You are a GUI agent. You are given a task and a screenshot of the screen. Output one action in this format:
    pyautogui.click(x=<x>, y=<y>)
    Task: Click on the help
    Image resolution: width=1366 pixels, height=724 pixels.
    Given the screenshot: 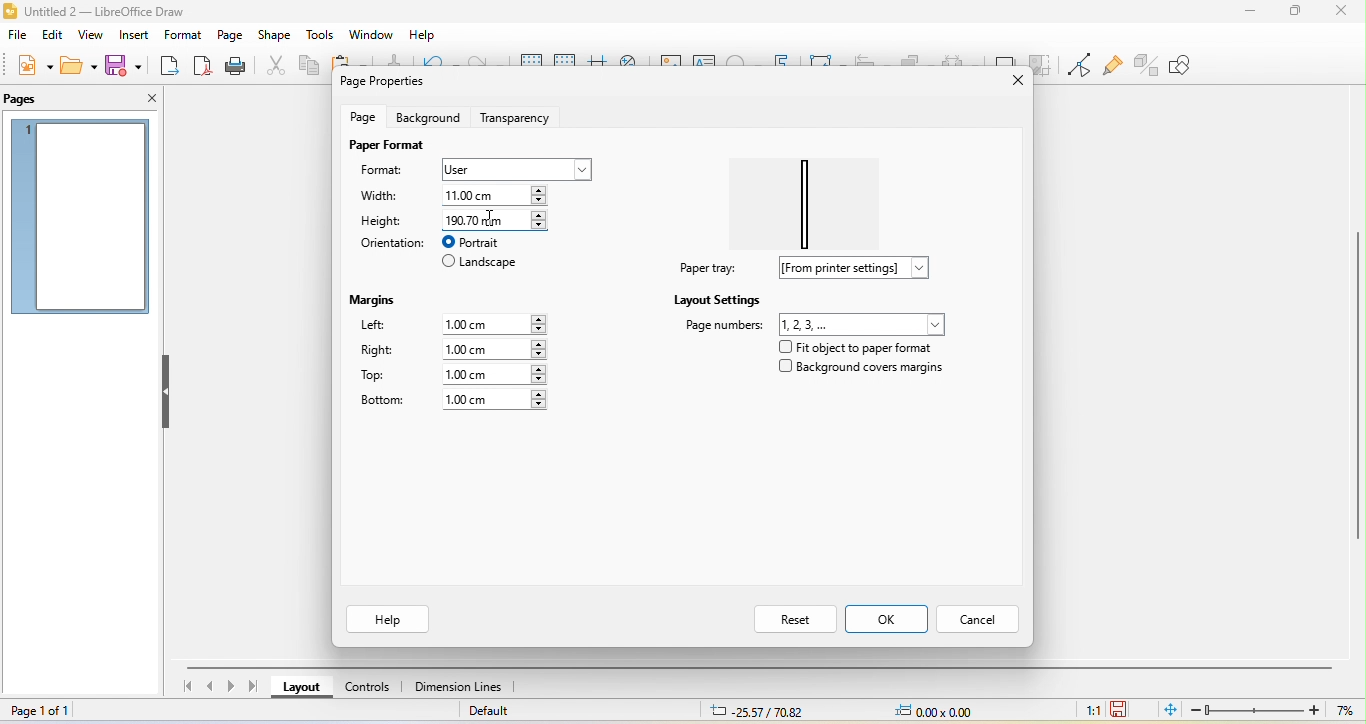 What is the action you would take?
    pyautogui.click(x=420, y=36)
    